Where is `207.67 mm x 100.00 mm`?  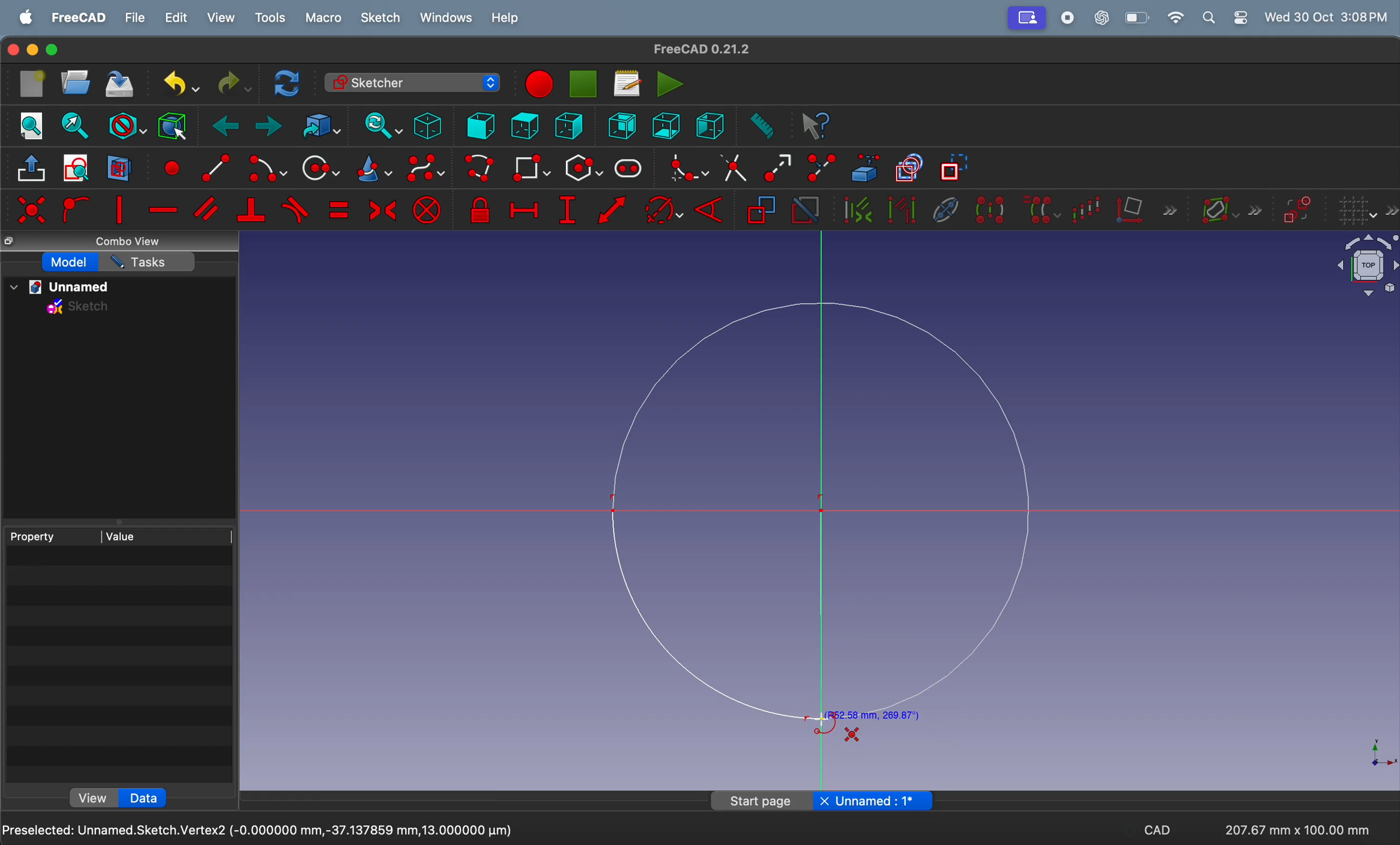
207.67 mm x 100.00 mm is located at coordinates (1295, 830).